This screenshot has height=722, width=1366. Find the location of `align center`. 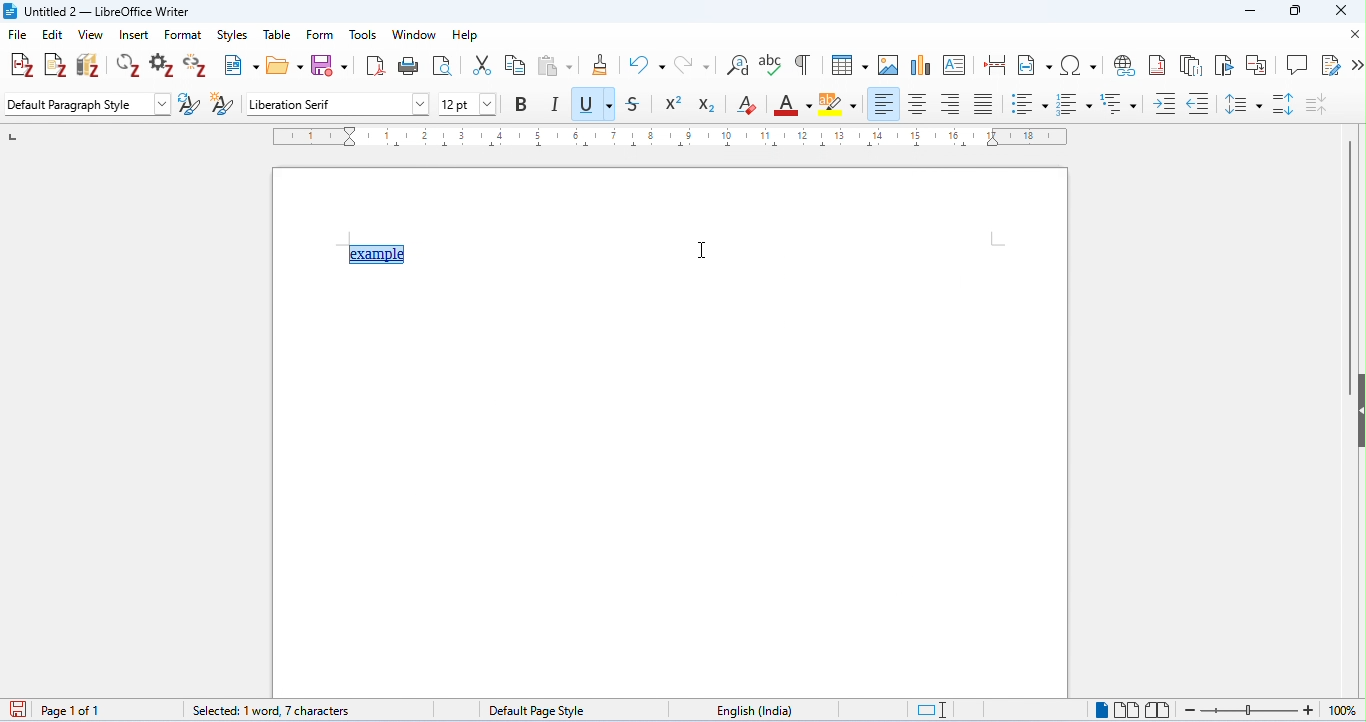

align center is located at coordinates (919, 105).